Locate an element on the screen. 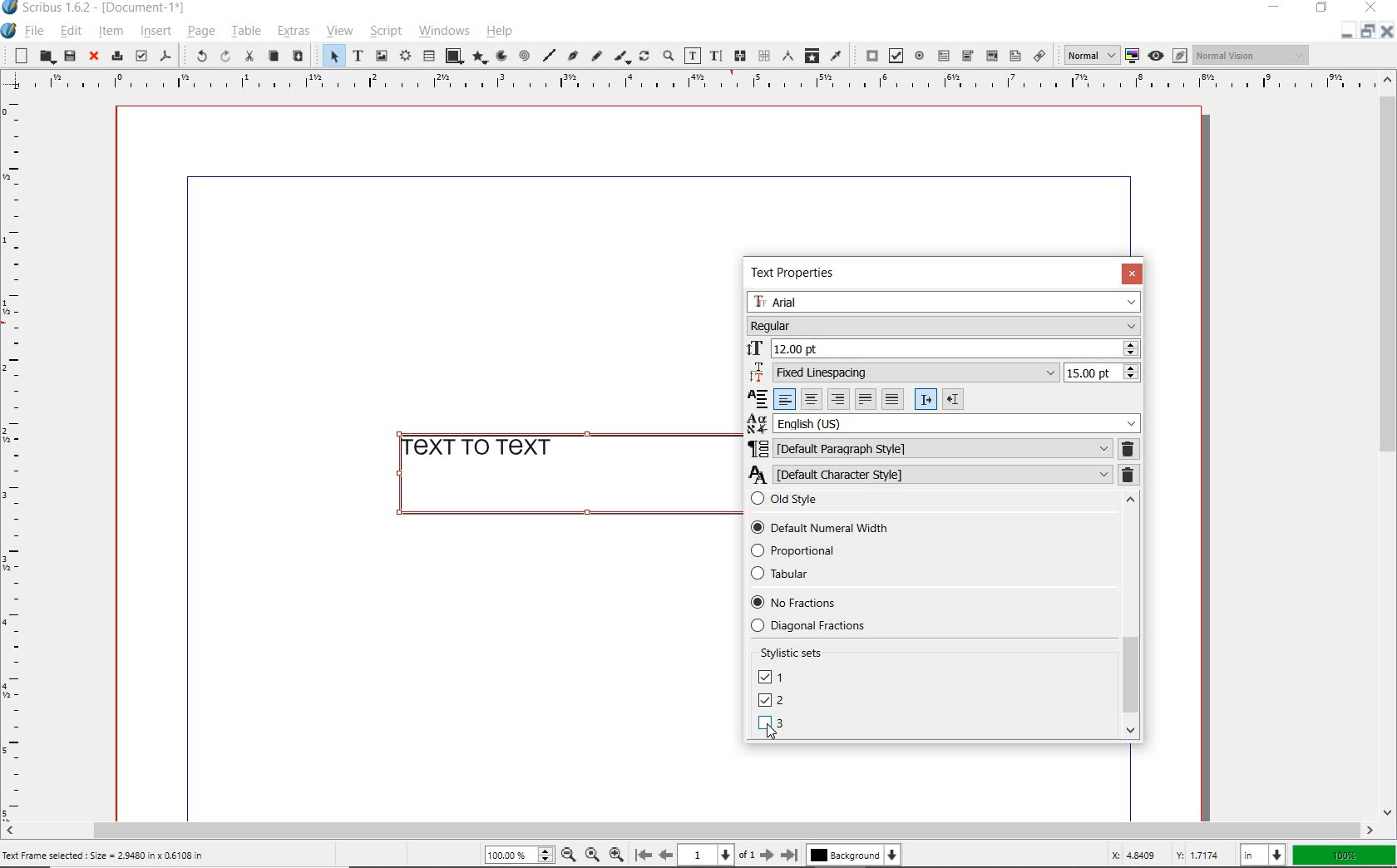 The height and width of the screenshot is (868, 1397). copy is located at coordinates (273, 57).